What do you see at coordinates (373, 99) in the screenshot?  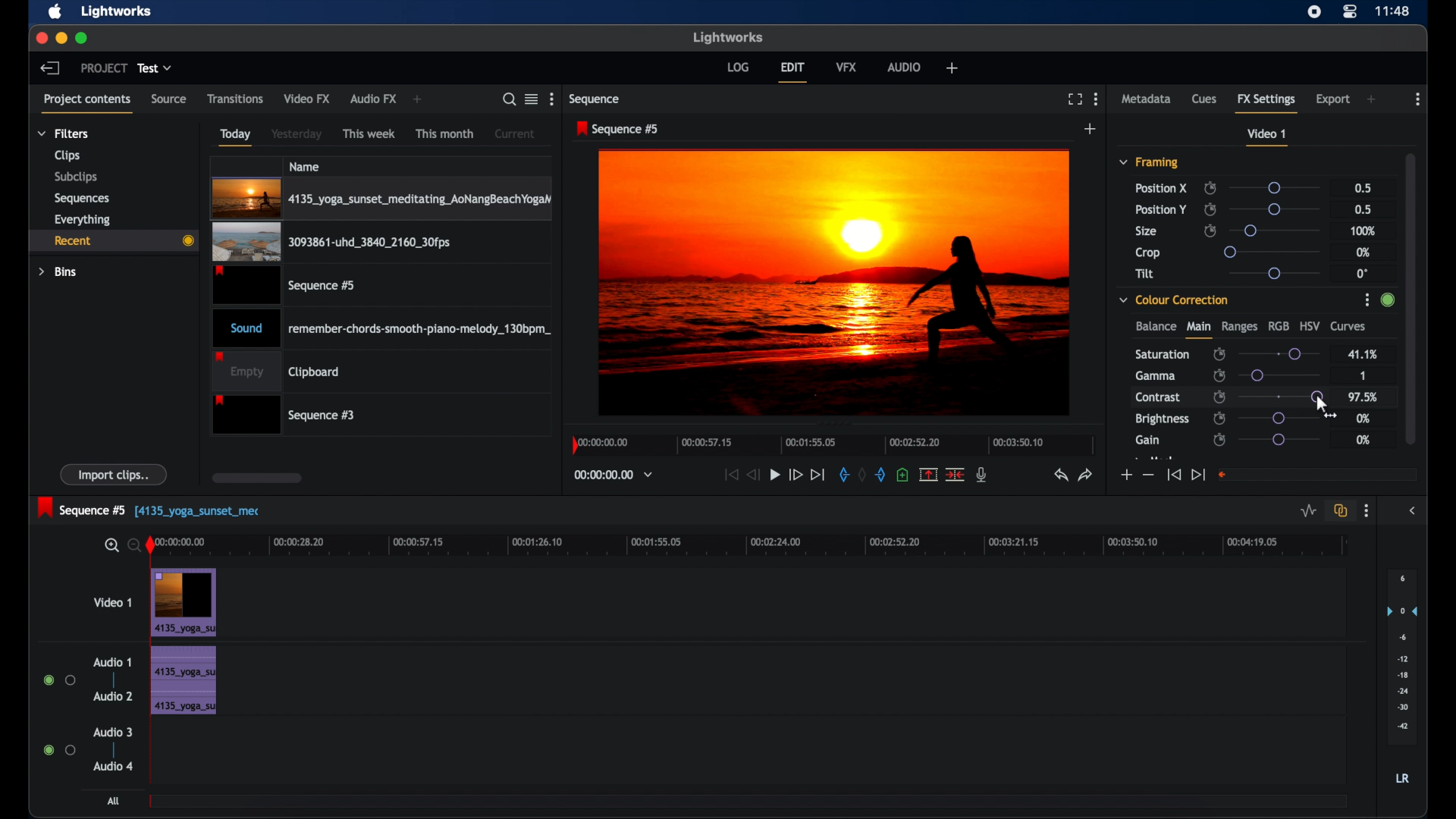 I see `audio fx` at bounding box center [373, 99].